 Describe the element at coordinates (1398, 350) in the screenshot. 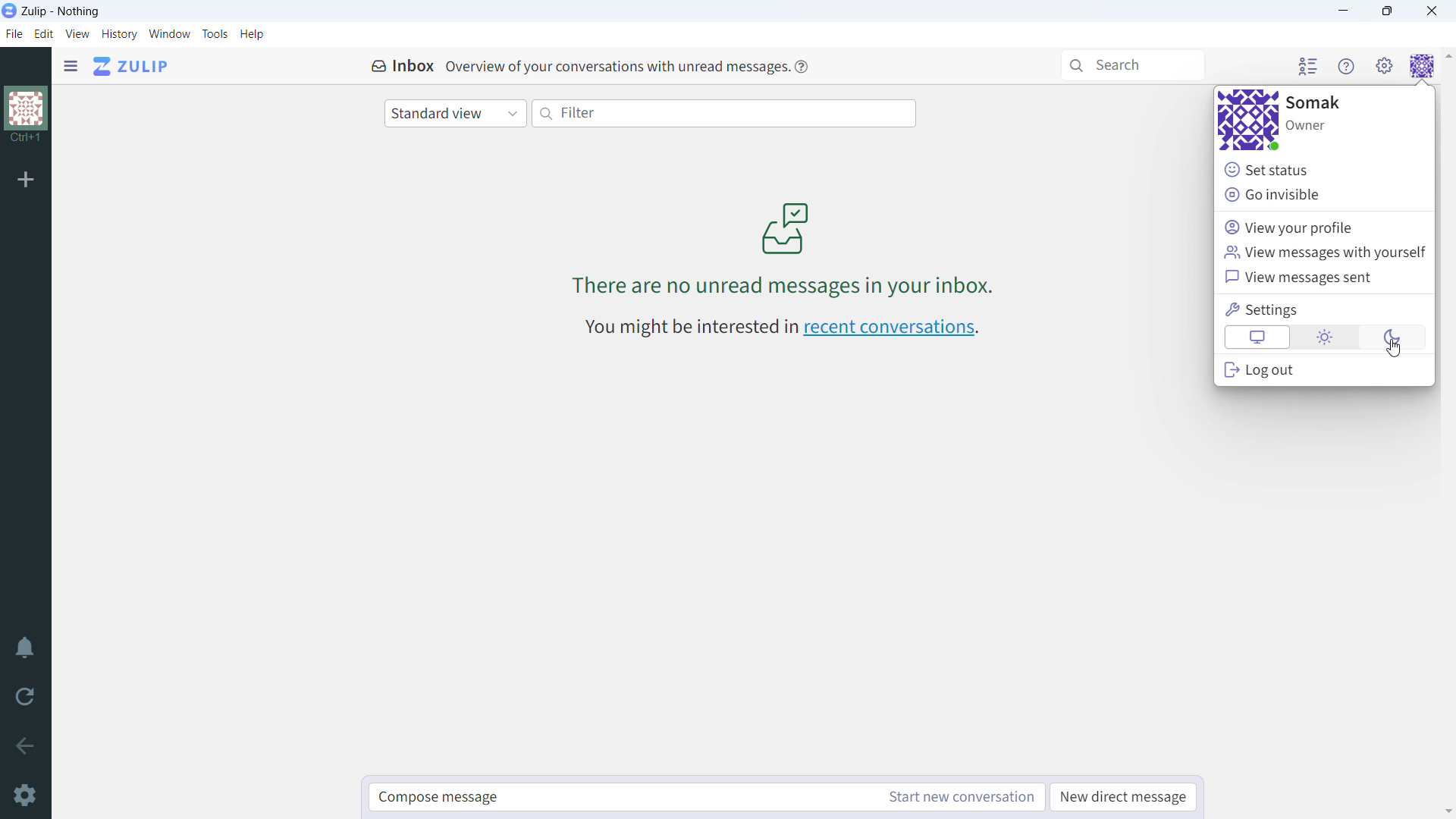

I see `cursor` at that location.